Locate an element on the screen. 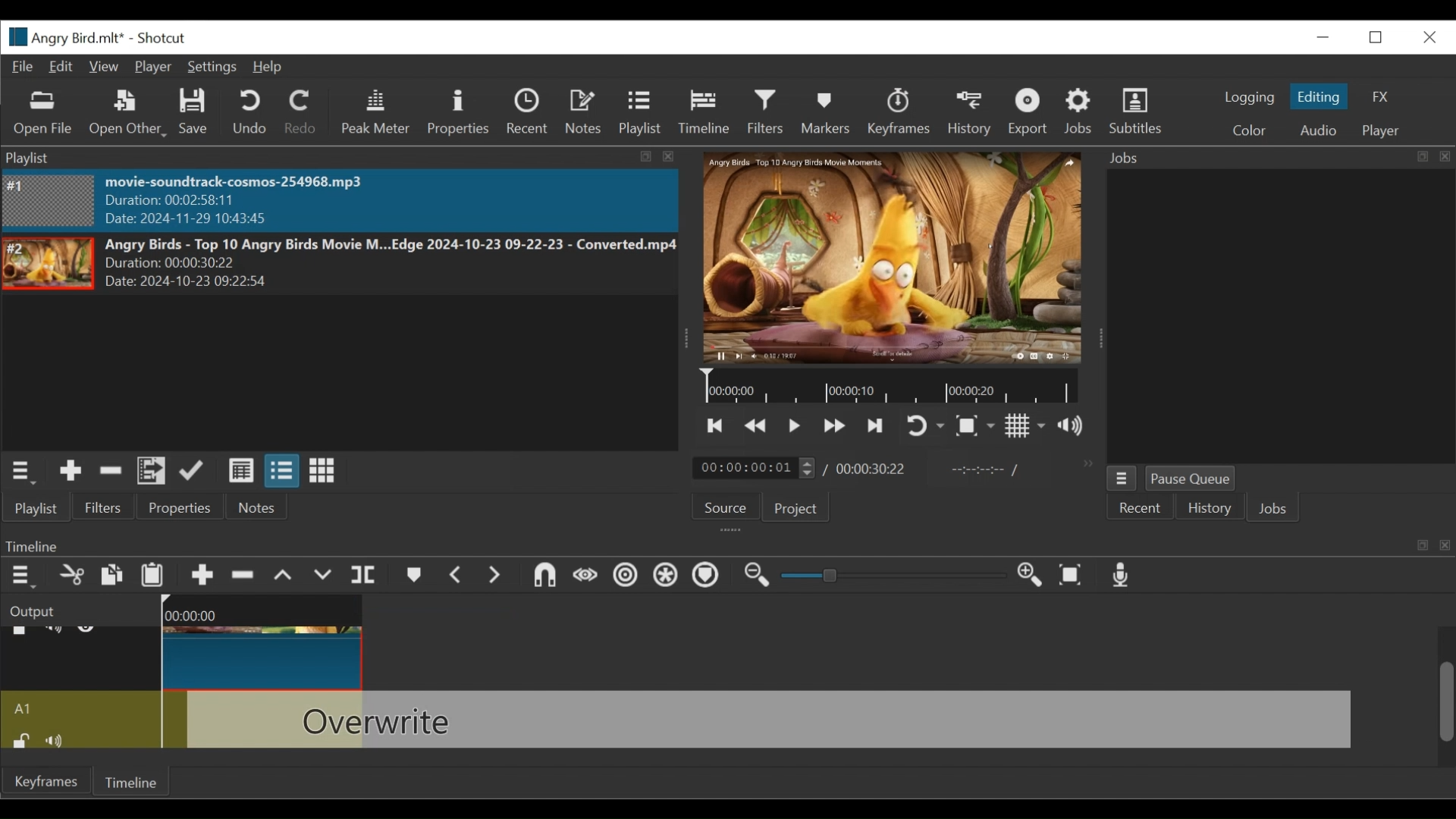  Ripple Markers is located at coordinates (706, 578).